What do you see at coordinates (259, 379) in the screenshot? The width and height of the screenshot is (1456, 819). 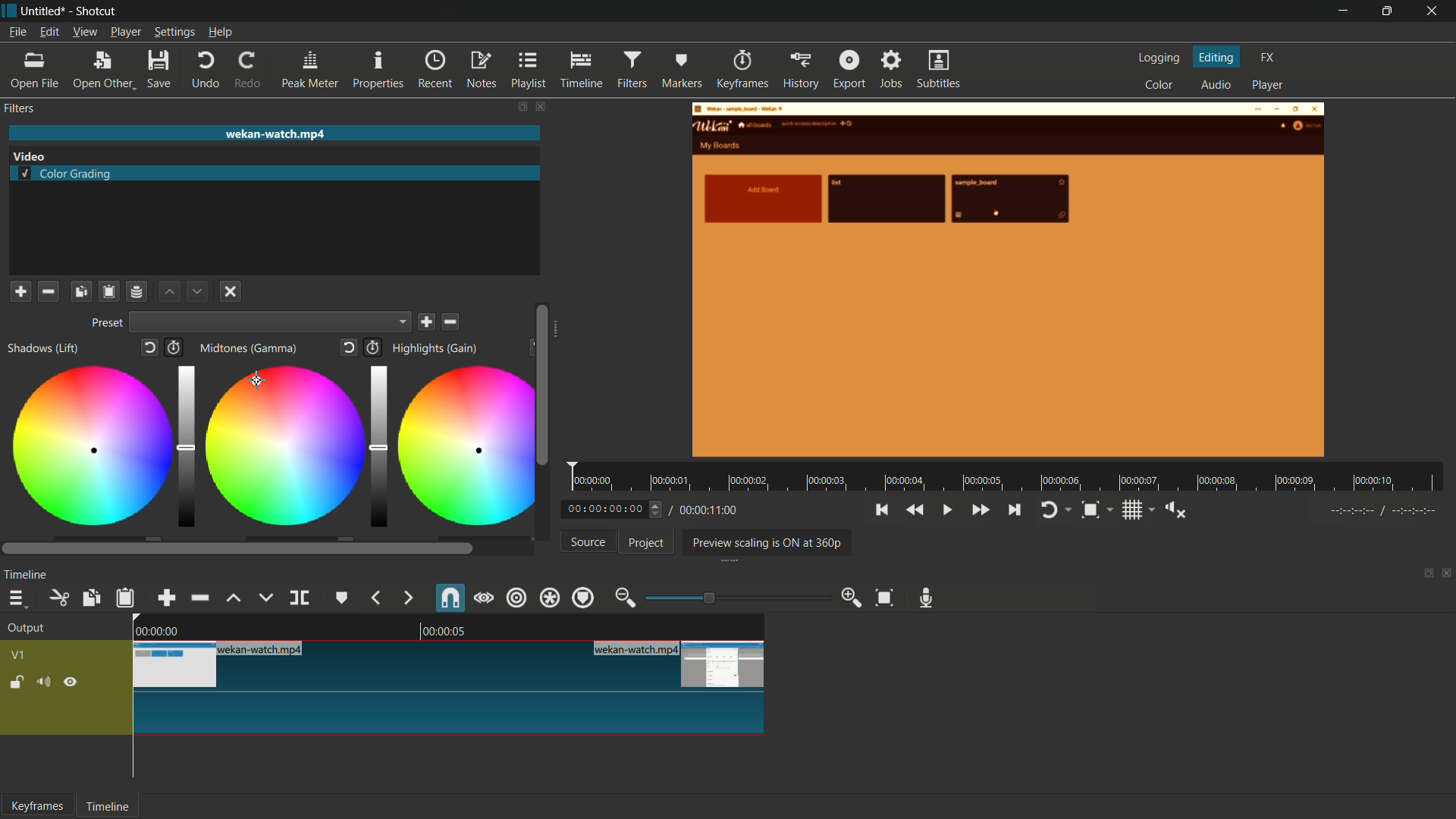 I see `cursor` at bounding box center [259, 379].